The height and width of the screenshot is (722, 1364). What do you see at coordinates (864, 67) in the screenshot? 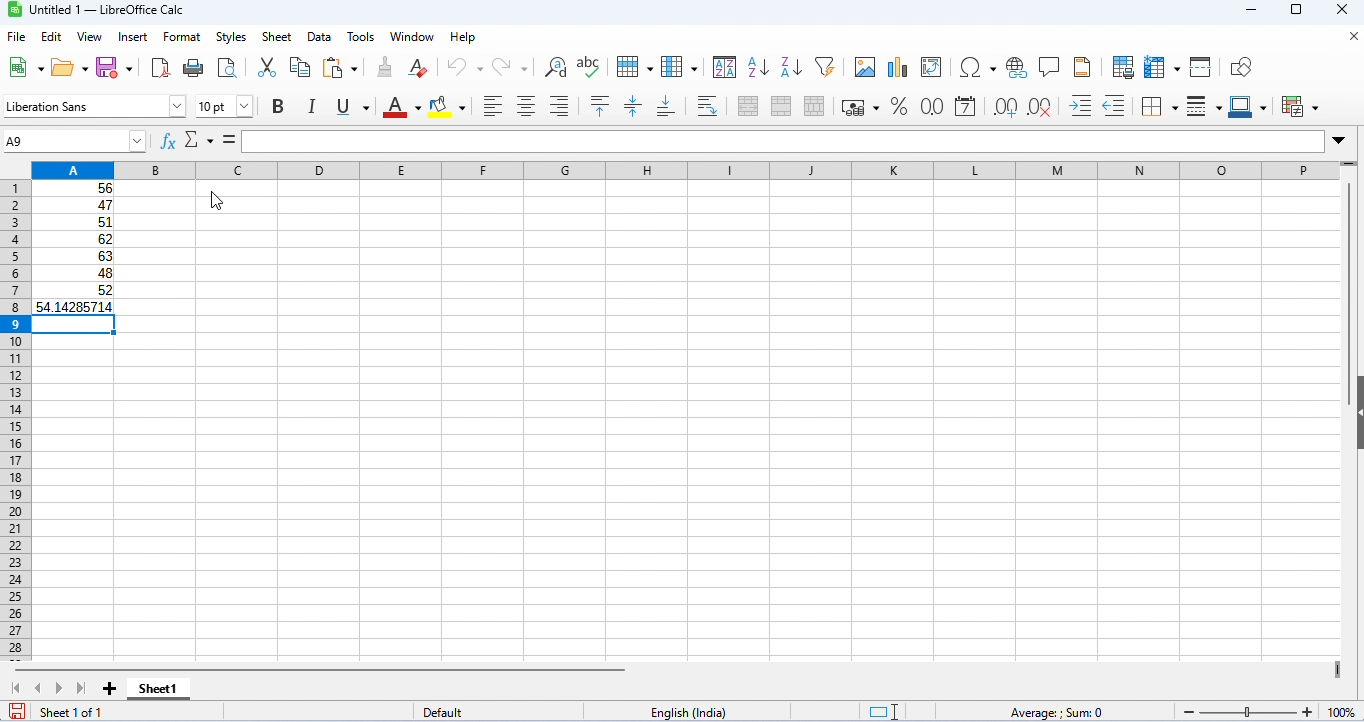
I see `insert image` at bounding box center [864, 67].